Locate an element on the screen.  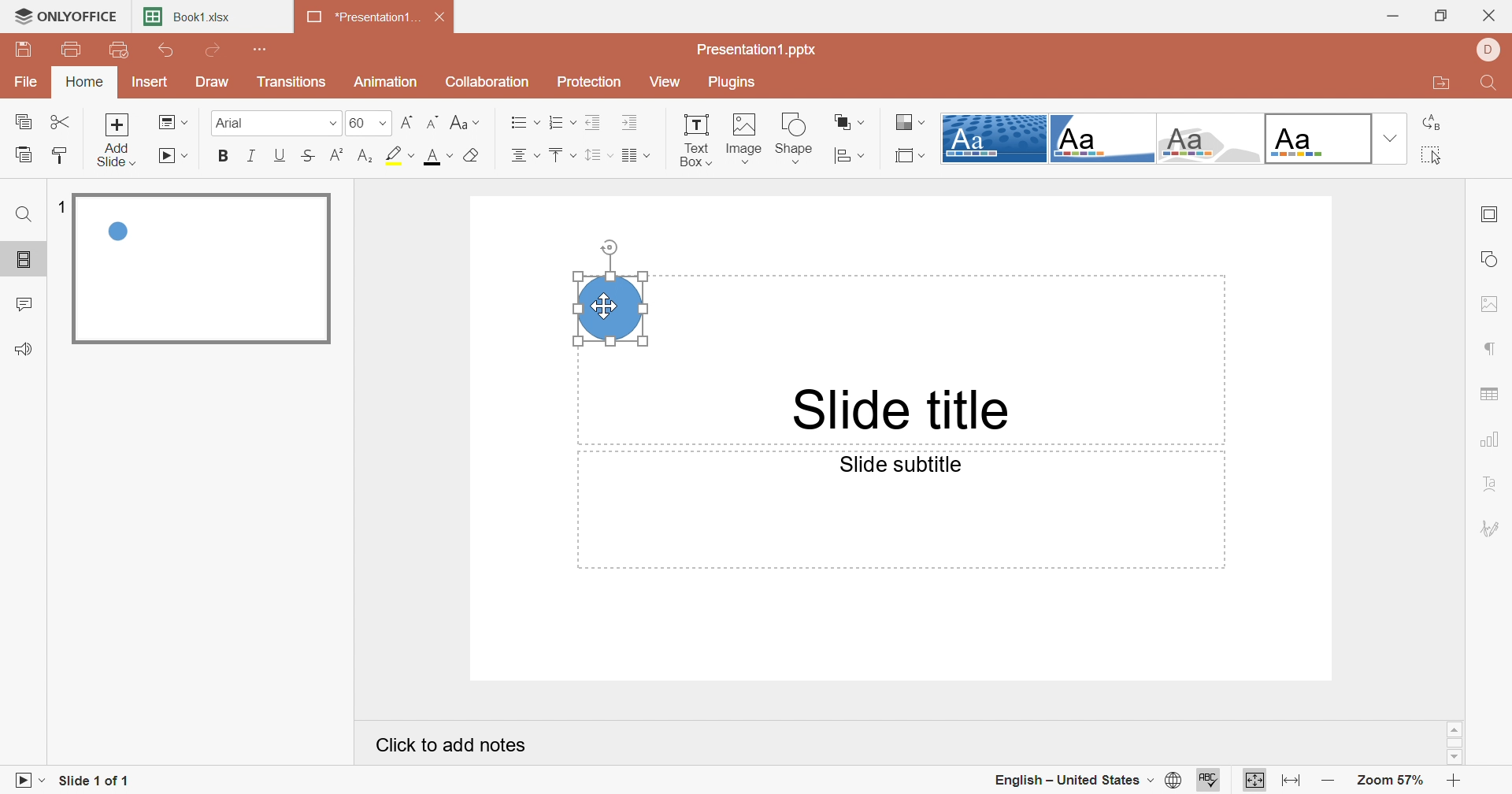
Cut is located at coordinates (61, 121).